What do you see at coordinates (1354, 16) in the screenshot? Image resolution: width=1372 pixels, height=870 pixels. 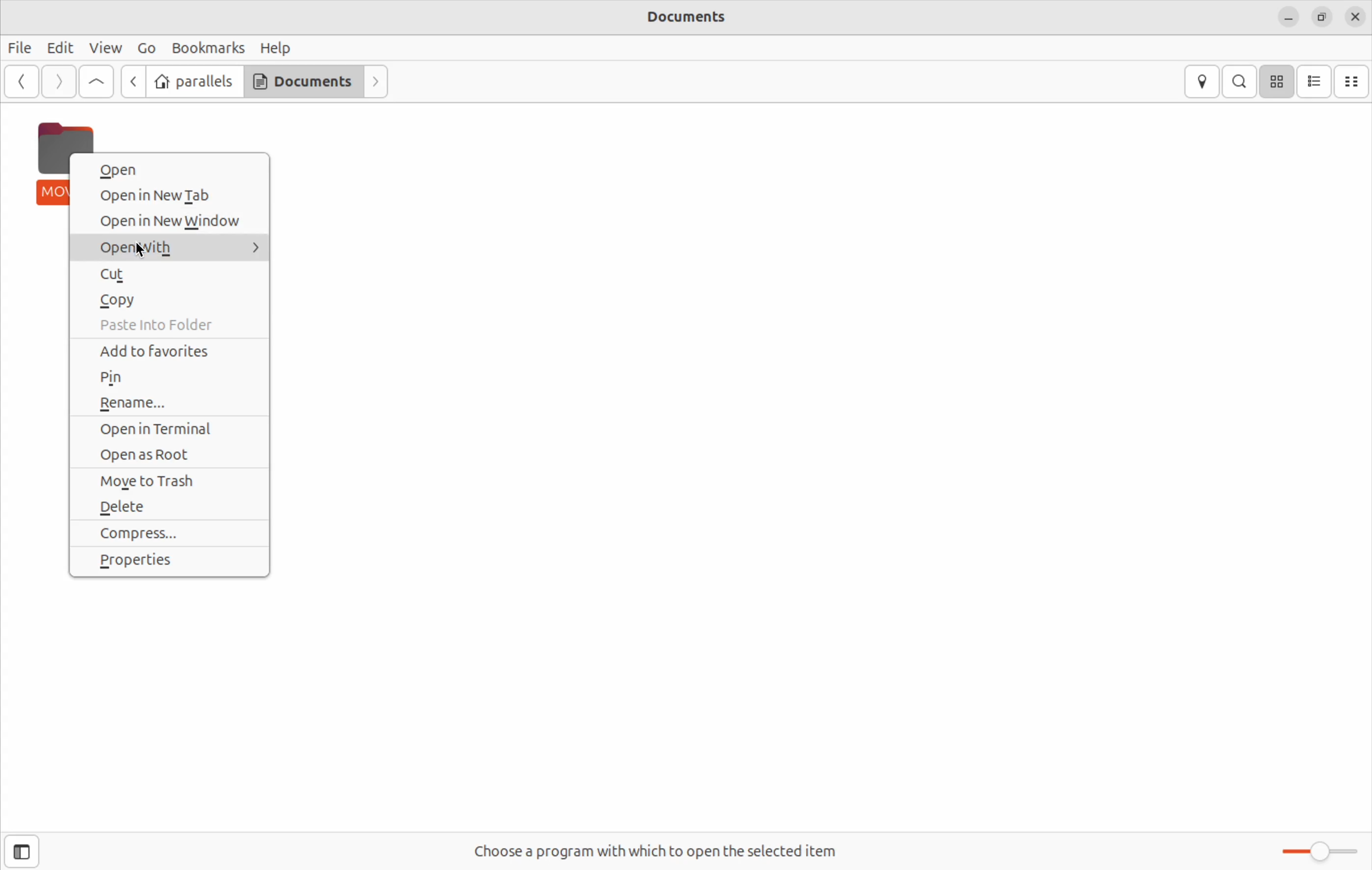 I see `close` at bounding box center [1354, 16].